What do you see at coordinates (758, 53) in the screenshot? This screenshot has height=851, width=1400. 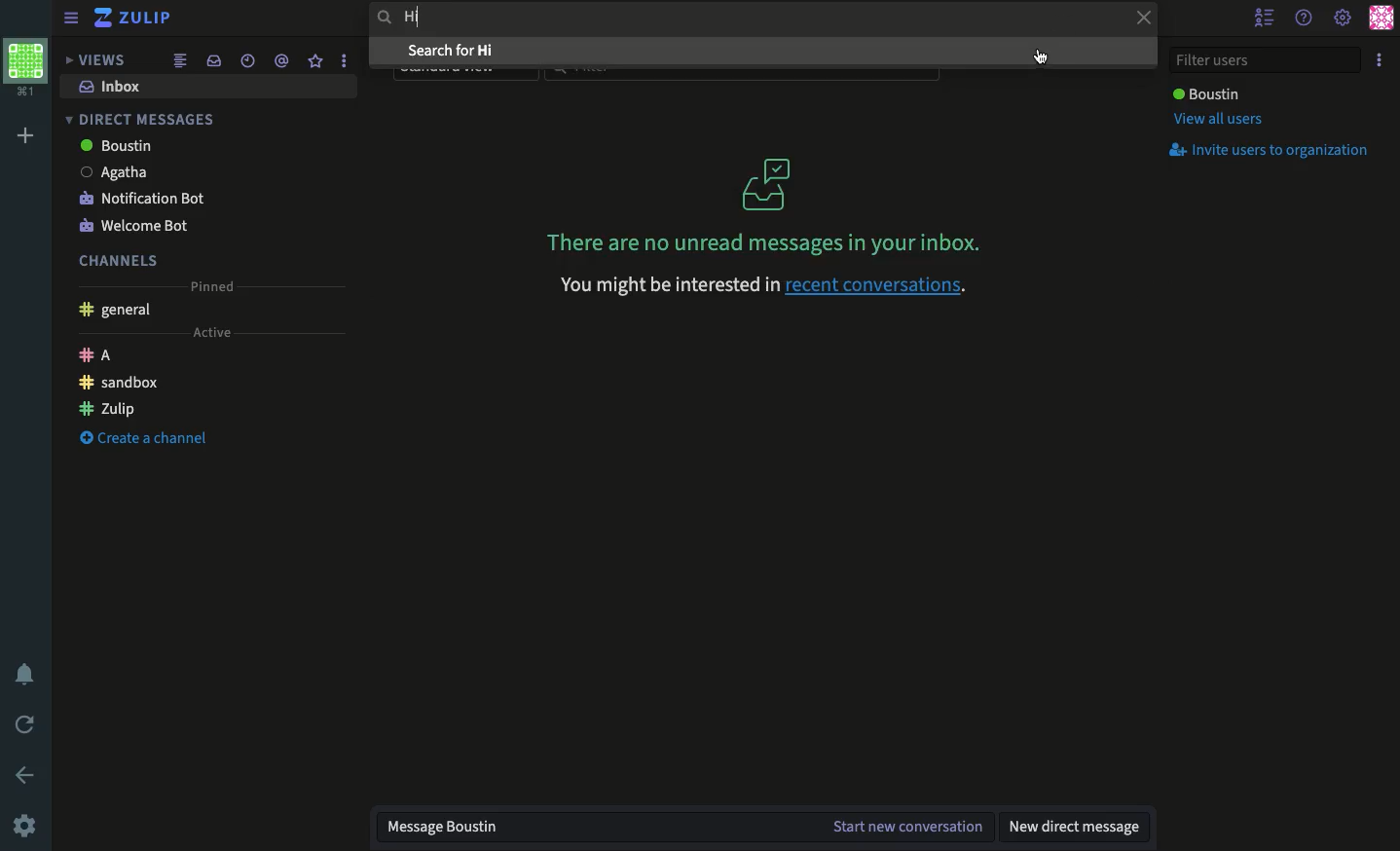 I see `Search for hi` at bounding box center [758, 53].